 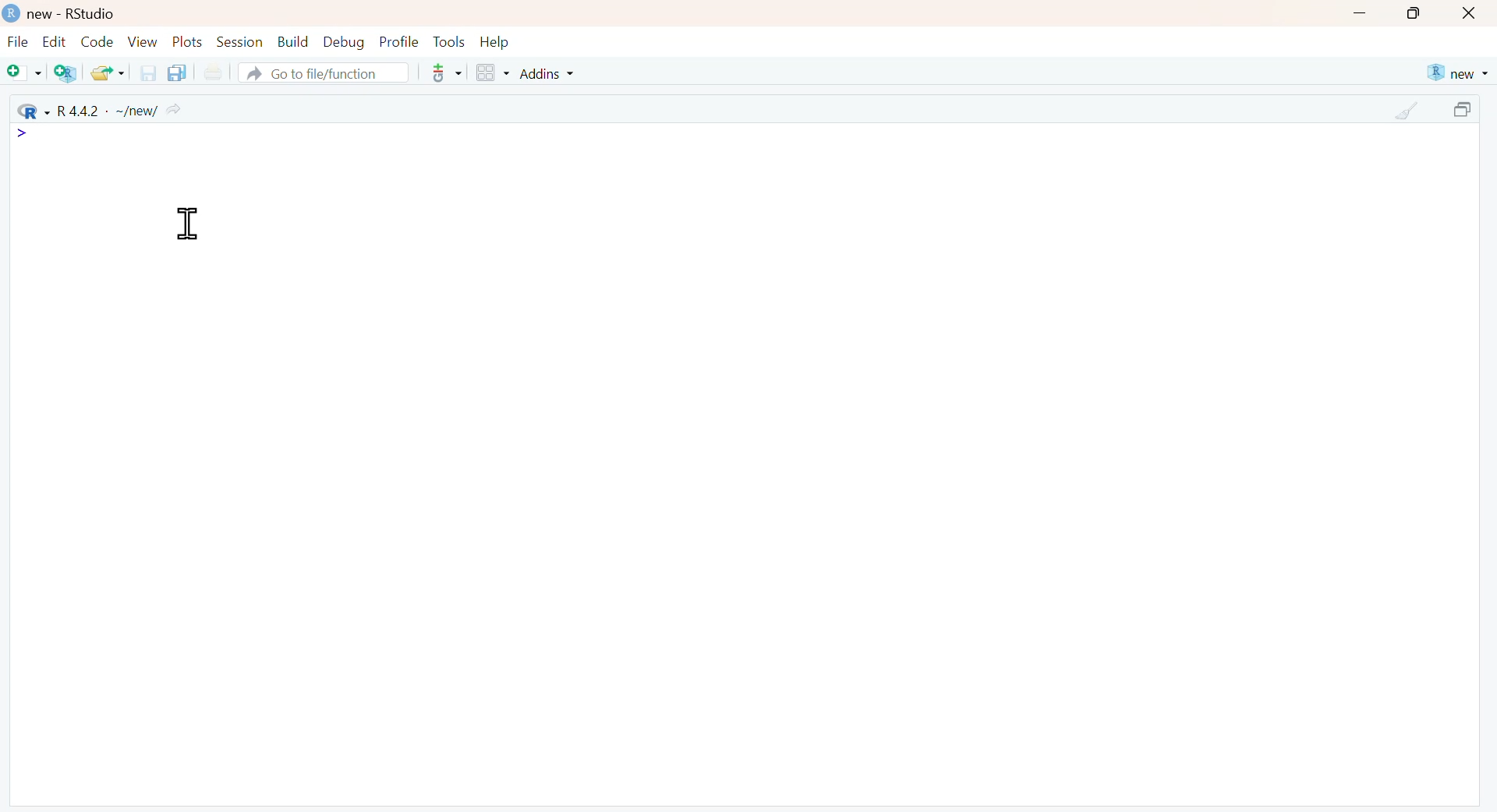 What do you see at coordinates (65, 73) in the screenshot?
I see `Create a project` at bounding box center [65, 73].